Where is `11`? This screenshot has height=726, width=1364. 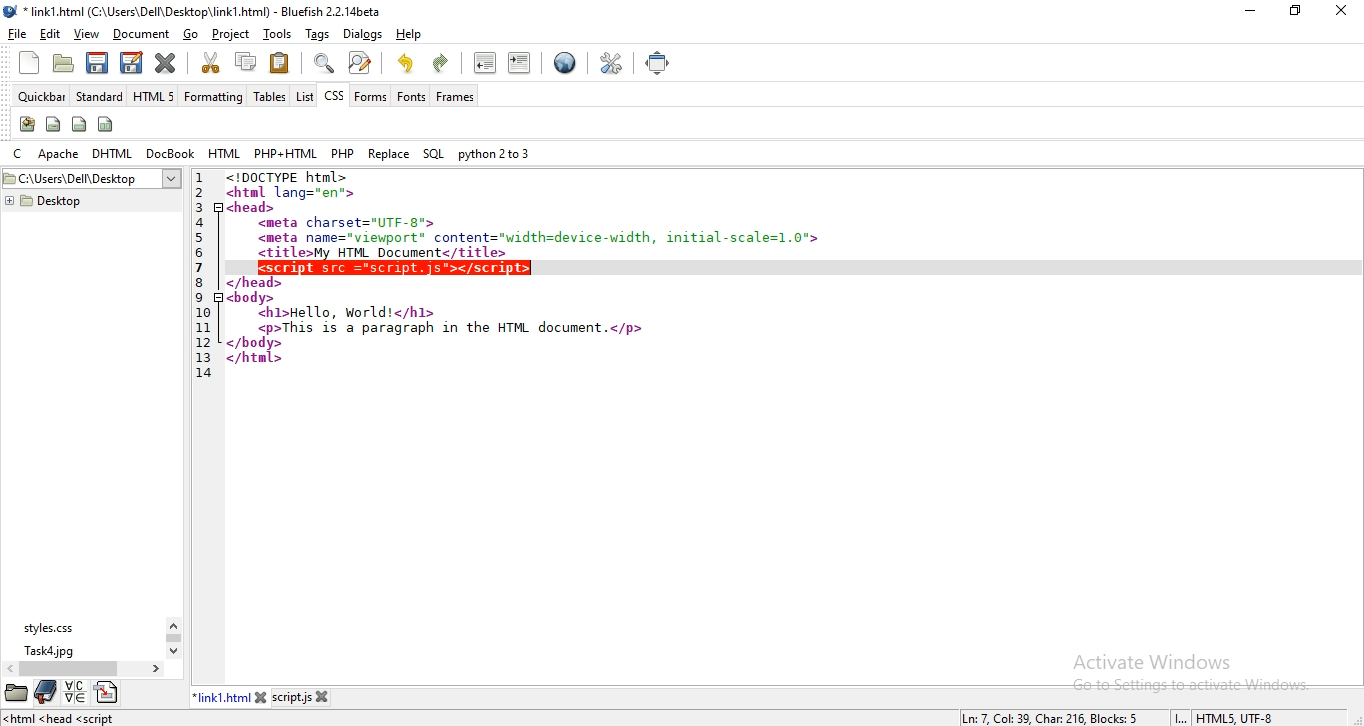 11 is located at coordinates (203, 328).